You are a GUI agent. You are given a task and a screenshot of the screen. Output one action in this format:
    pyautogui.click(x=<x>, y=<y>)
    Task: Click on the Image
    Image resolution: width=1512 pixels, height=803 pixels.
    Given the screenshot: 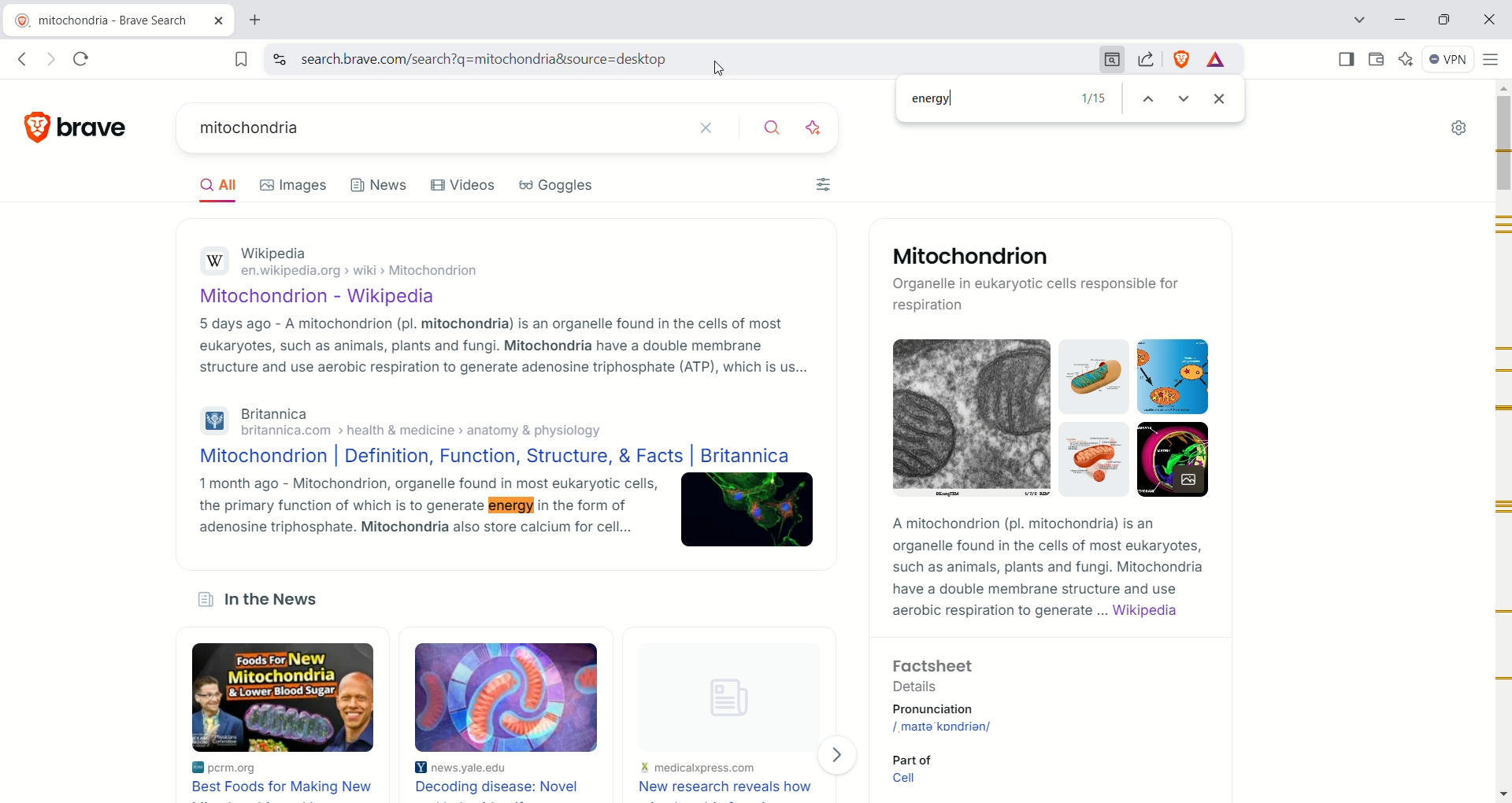 What is the action you would take?
    pyautogui.click(x=1170, y=377)
    